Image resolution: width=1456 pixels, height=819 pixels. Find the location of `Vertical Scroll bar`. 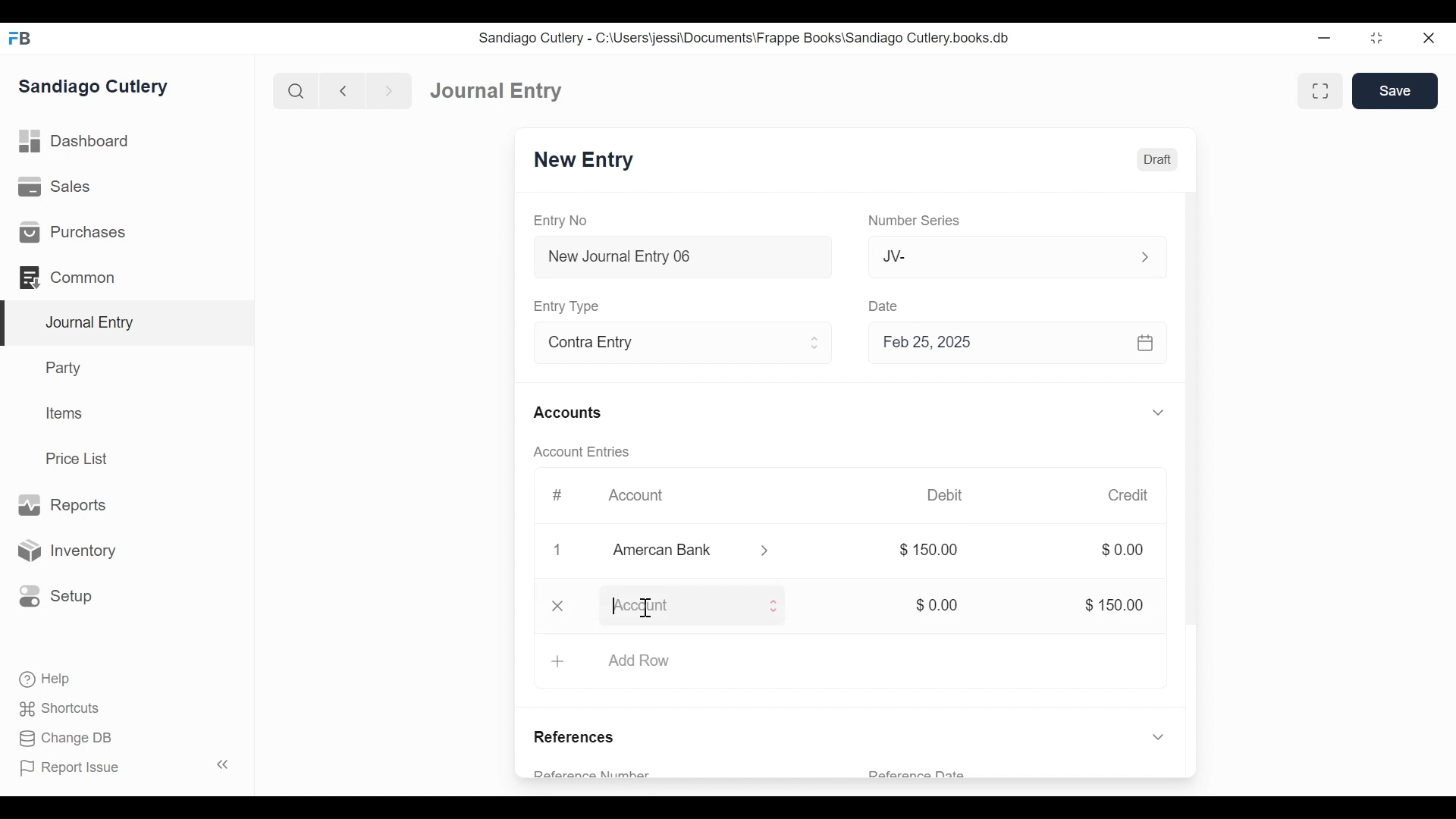

Vertical Scroll bar is located at coordinates (1193, 431).